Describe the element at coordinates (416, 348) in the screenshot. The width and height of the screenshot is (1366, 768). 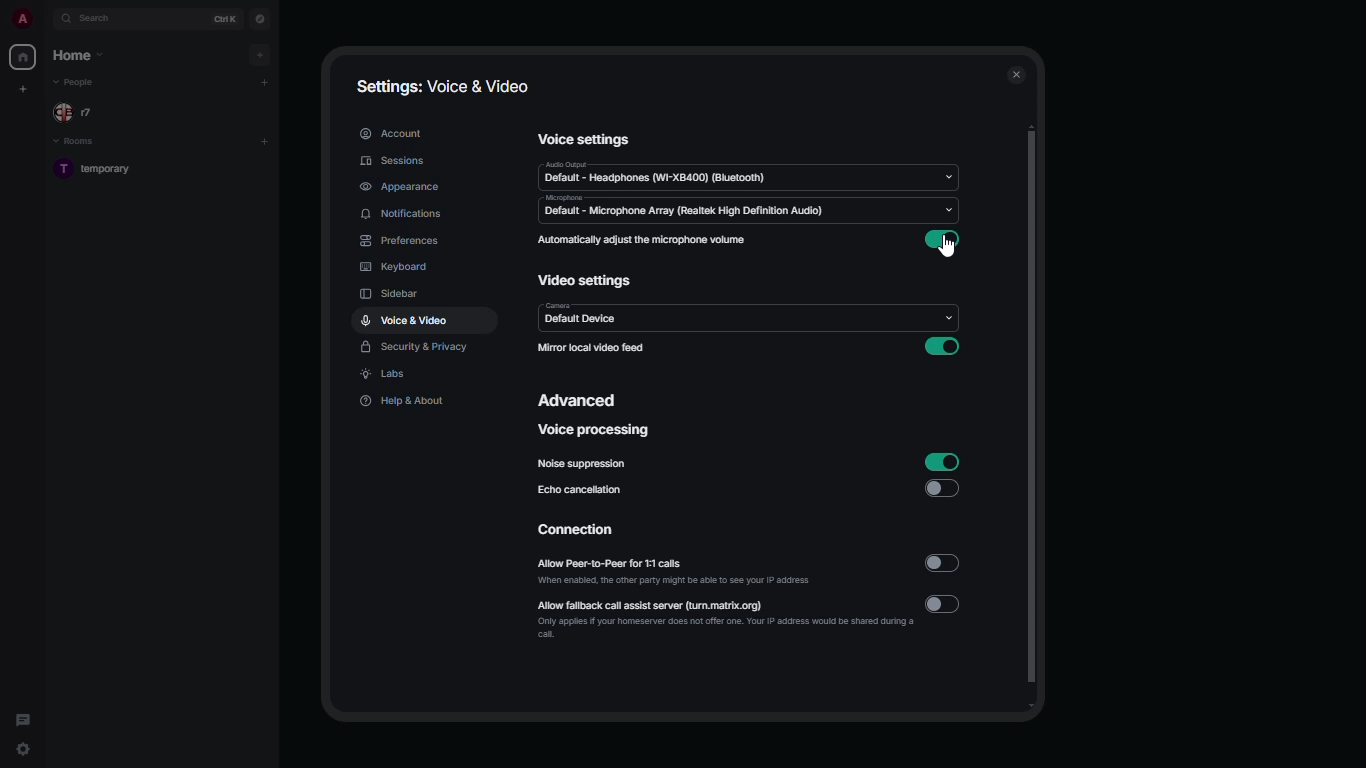
I see `security & privacy` at that location.